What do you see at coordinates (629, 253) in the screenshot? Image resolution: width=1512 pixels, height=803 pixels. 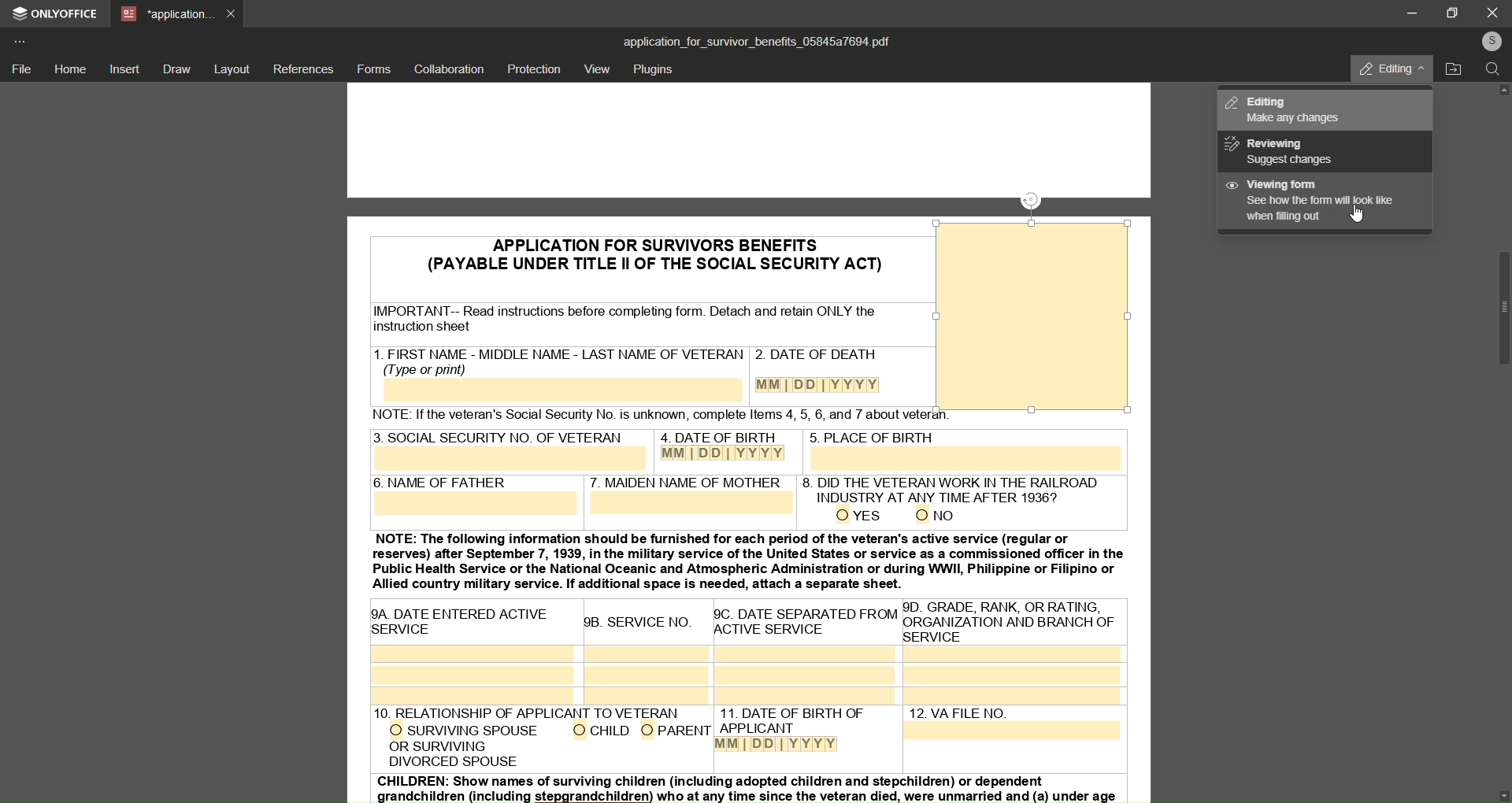 I see `PDF of application for survivors benefits` at bounding box center [629, 253].